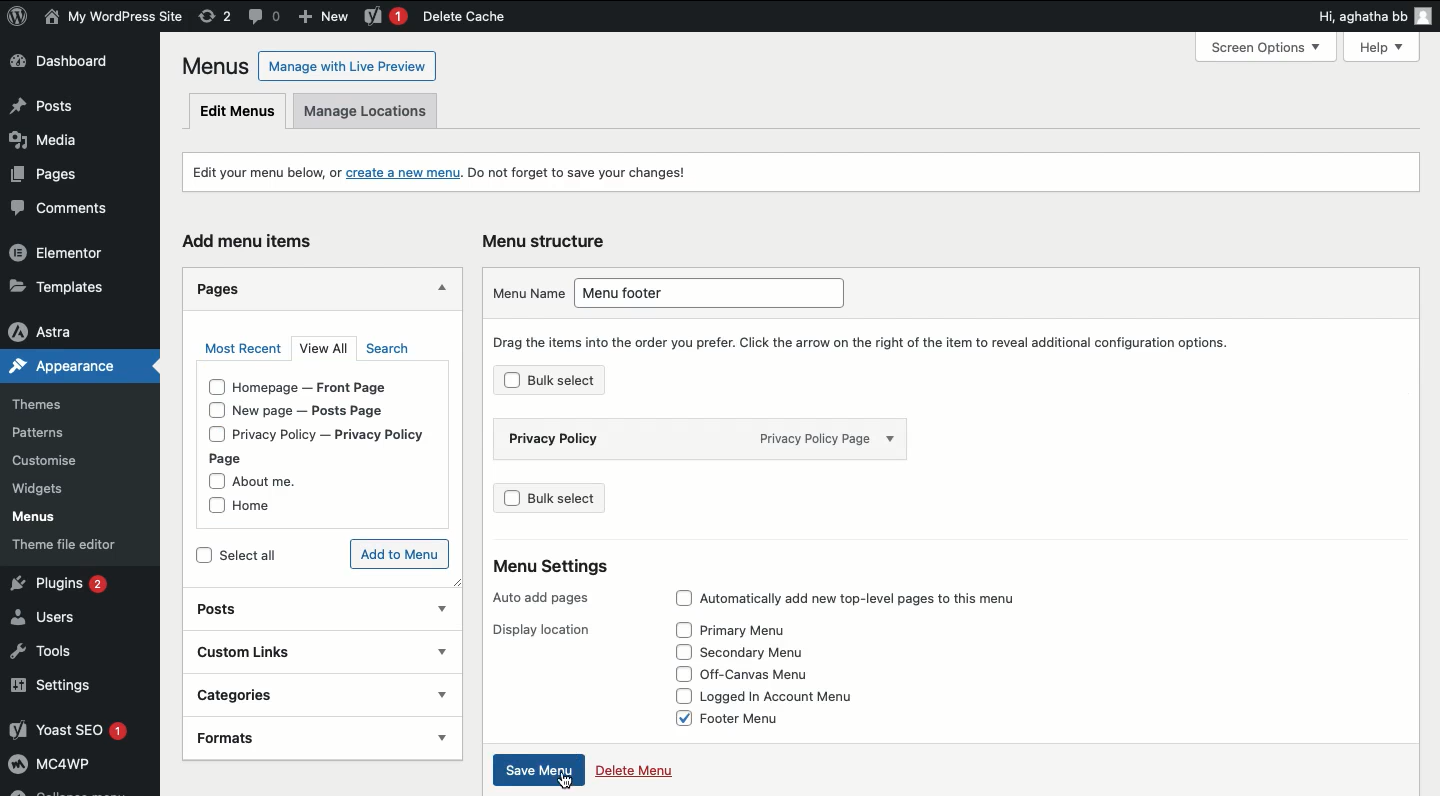 The image size is (1440, 796). What do you see at coordinates (508, 383) in the screenshot?
I see `checkbox` at bounding box center [508, 383].